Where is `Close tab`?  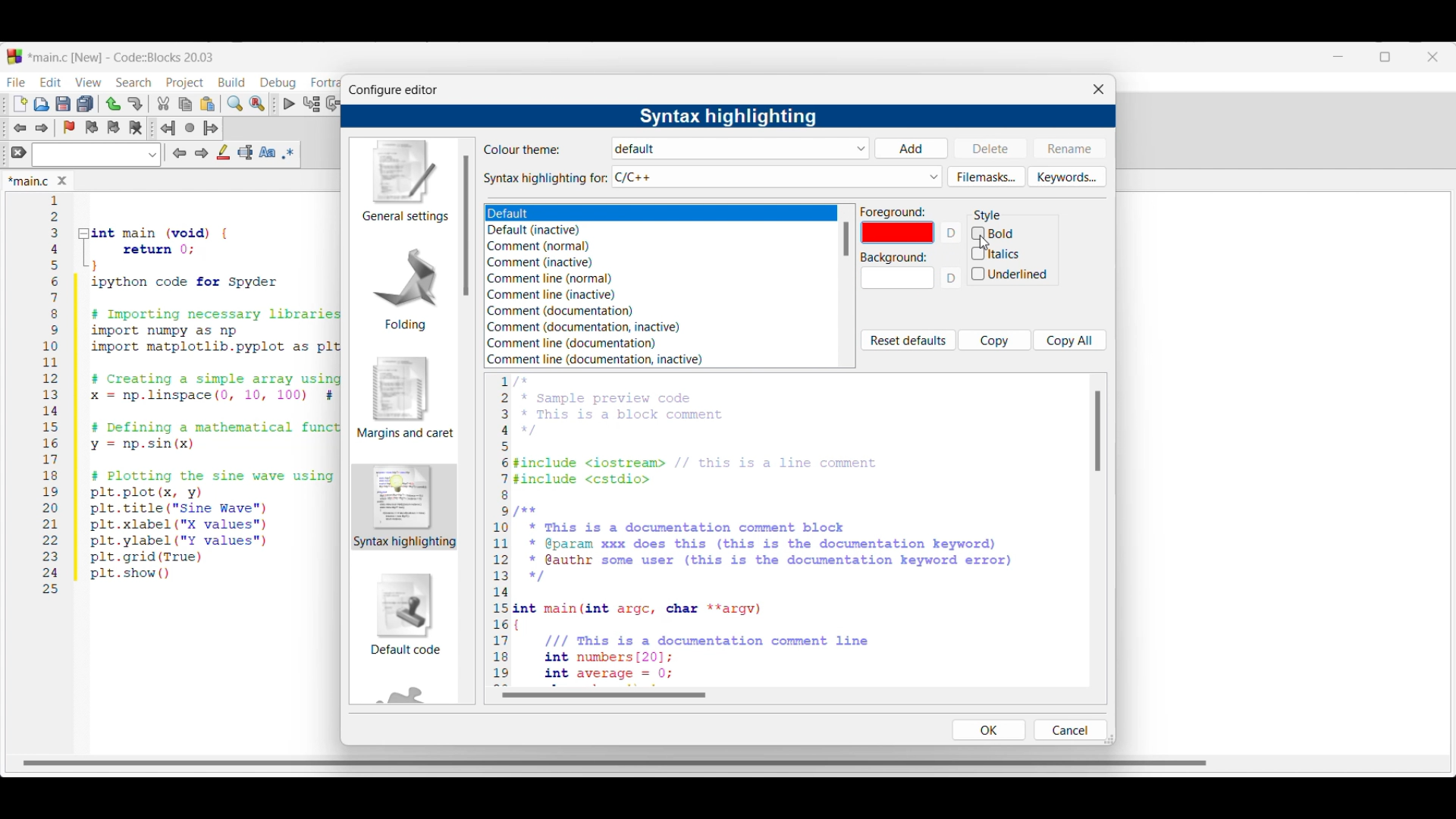 Close tab is located at coordinates (62, 180).